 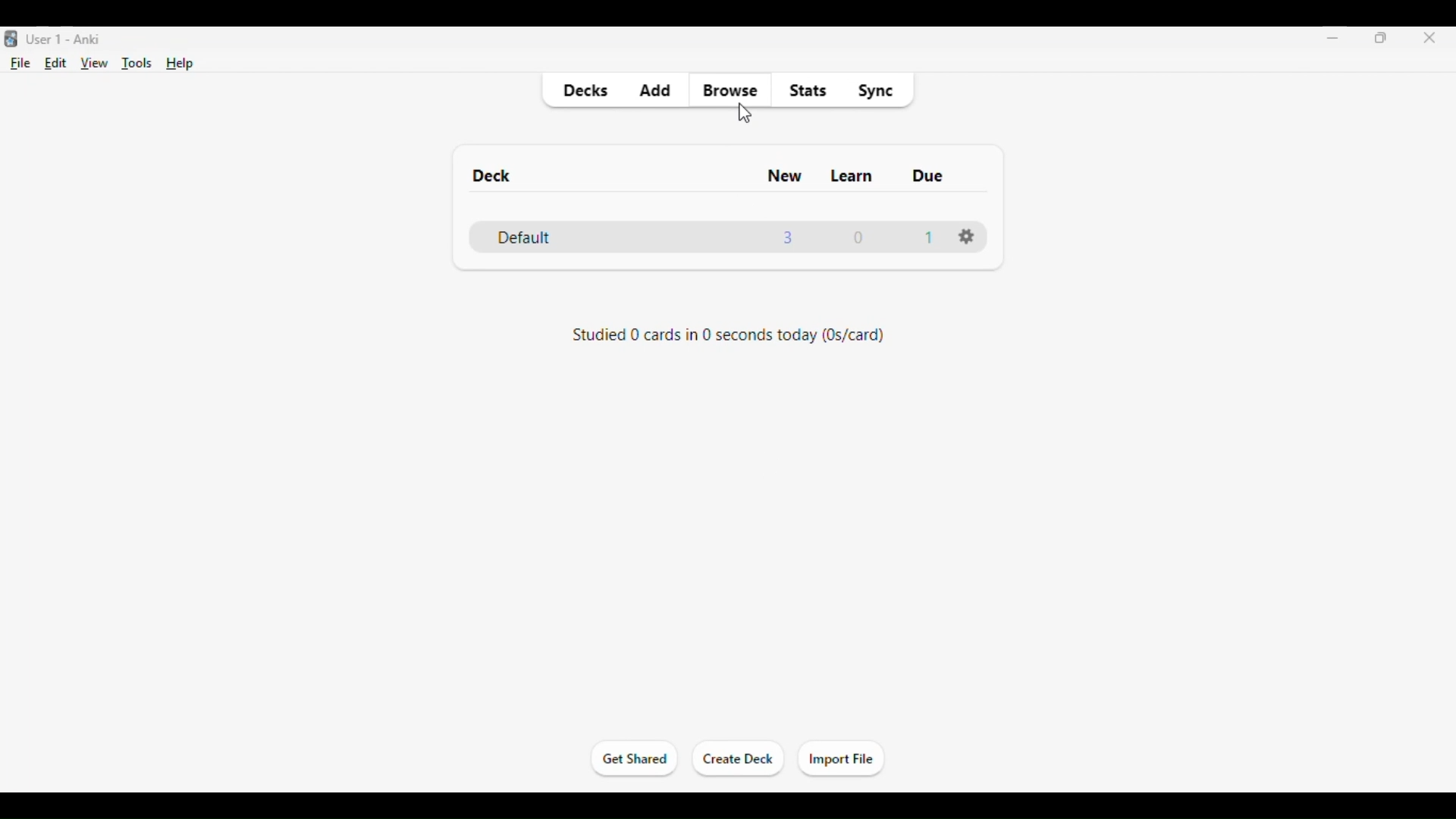 What do you see at coordinates (56, 63) in the screenshot?
I see `edit` at bounding box center [56, 63].